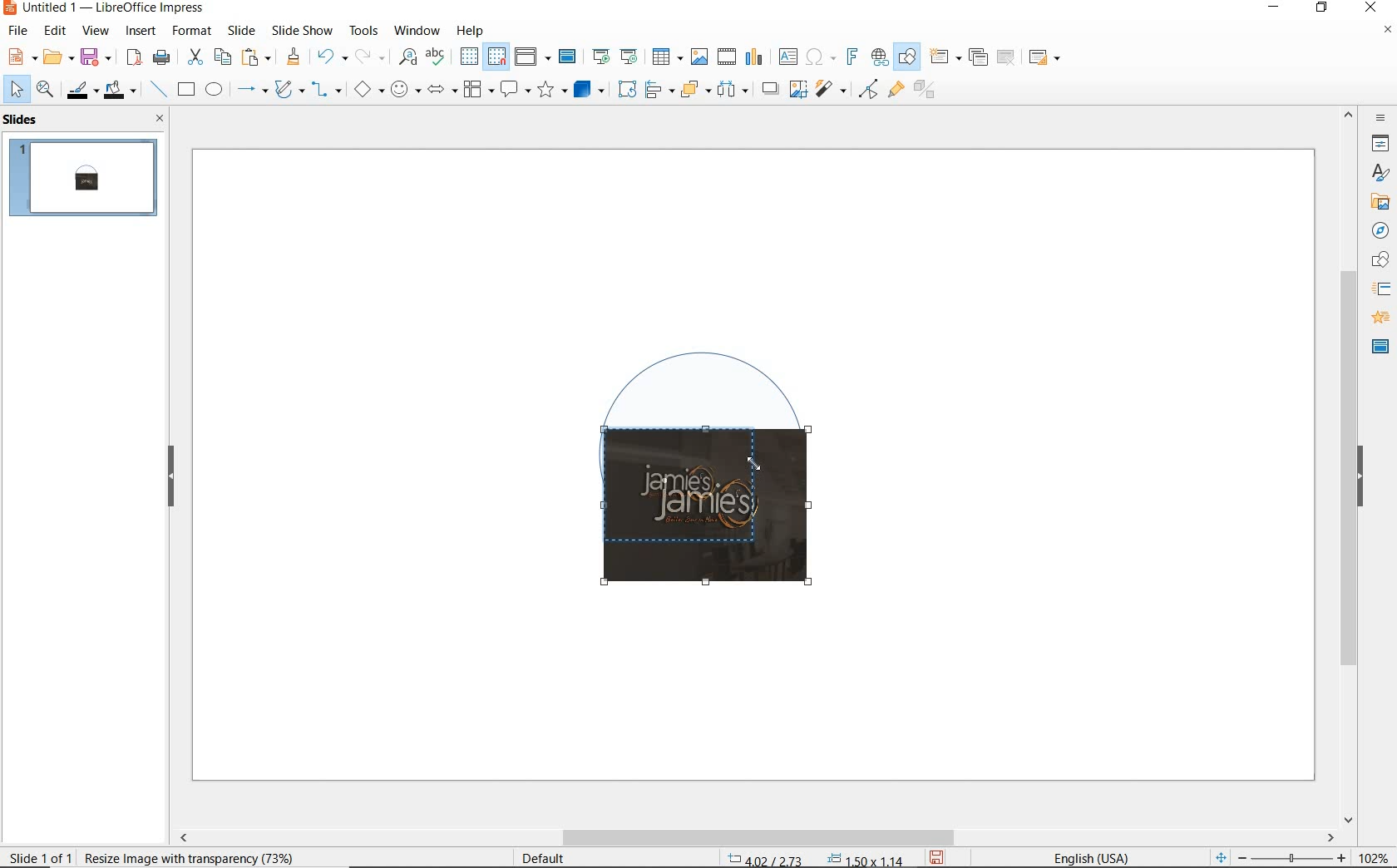 The width and height of the screenshot is (1397, 868). Describe the element at coordinates (251, 91) in the screenshot. I see `lines & arrows` at that location.